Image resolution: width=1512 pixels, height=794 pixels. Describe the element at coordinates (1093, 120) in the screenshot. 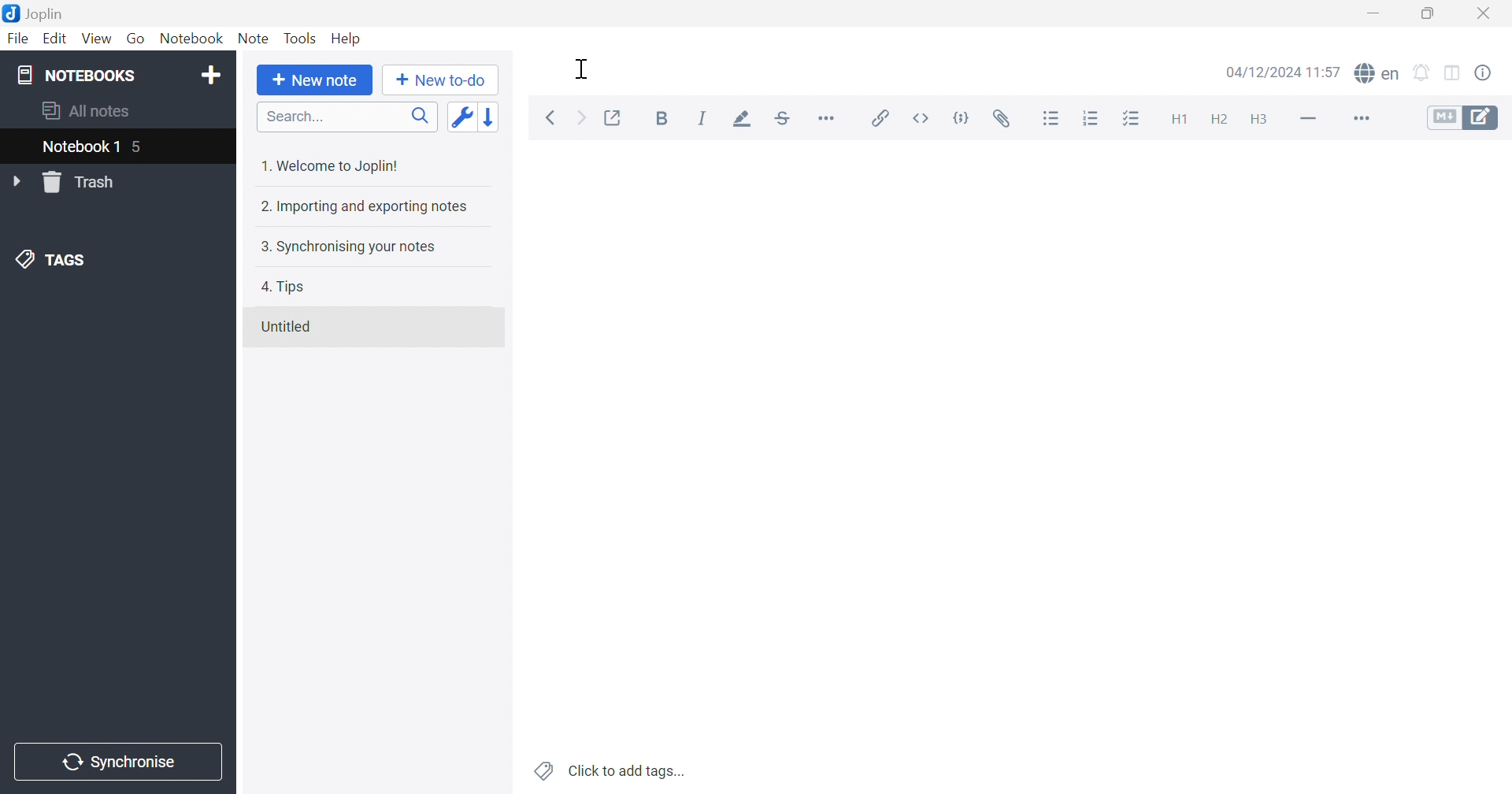

I see `Numbered list` at that location.